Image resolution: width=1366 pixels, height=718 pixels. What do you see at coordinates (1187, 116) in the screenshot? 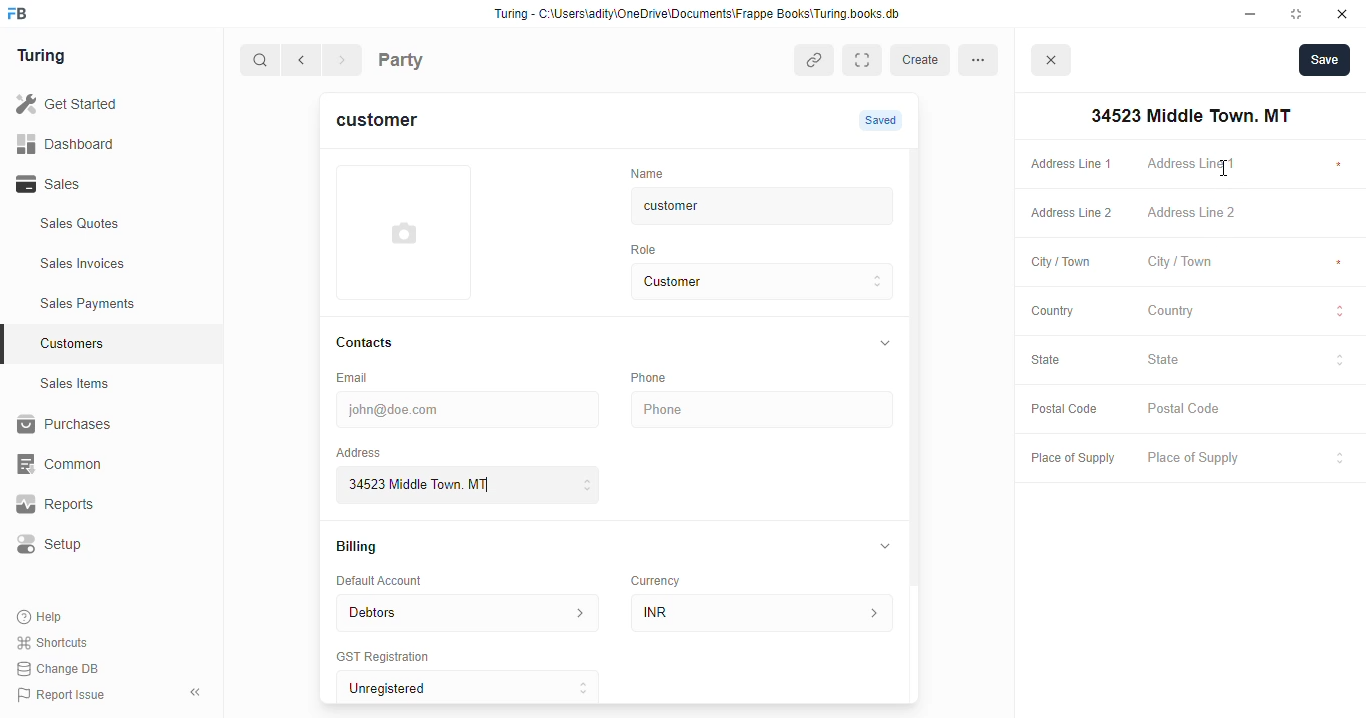
I see `34523 Middle Town. MT` at bounding box center [1187, 116].